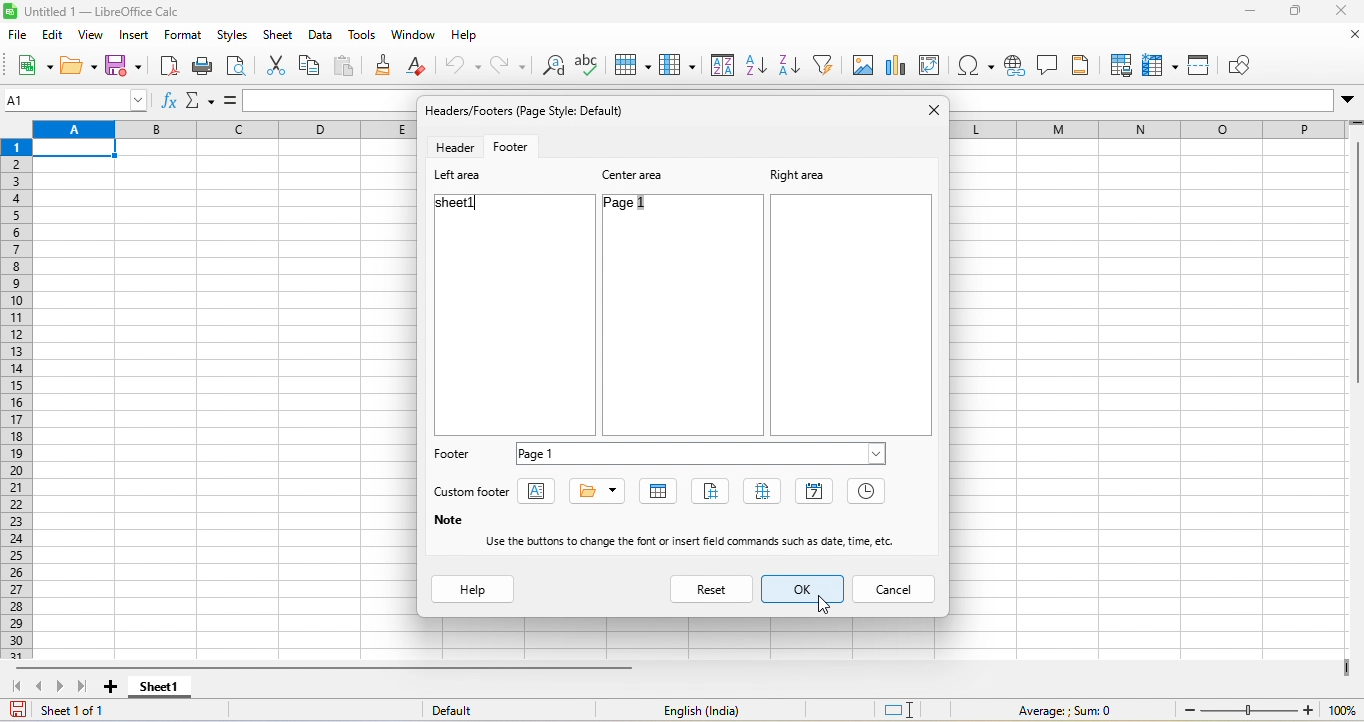 Image resolution: width=1364 pixels, height=722 pixels. I want to click on close, so click(1344, 38).